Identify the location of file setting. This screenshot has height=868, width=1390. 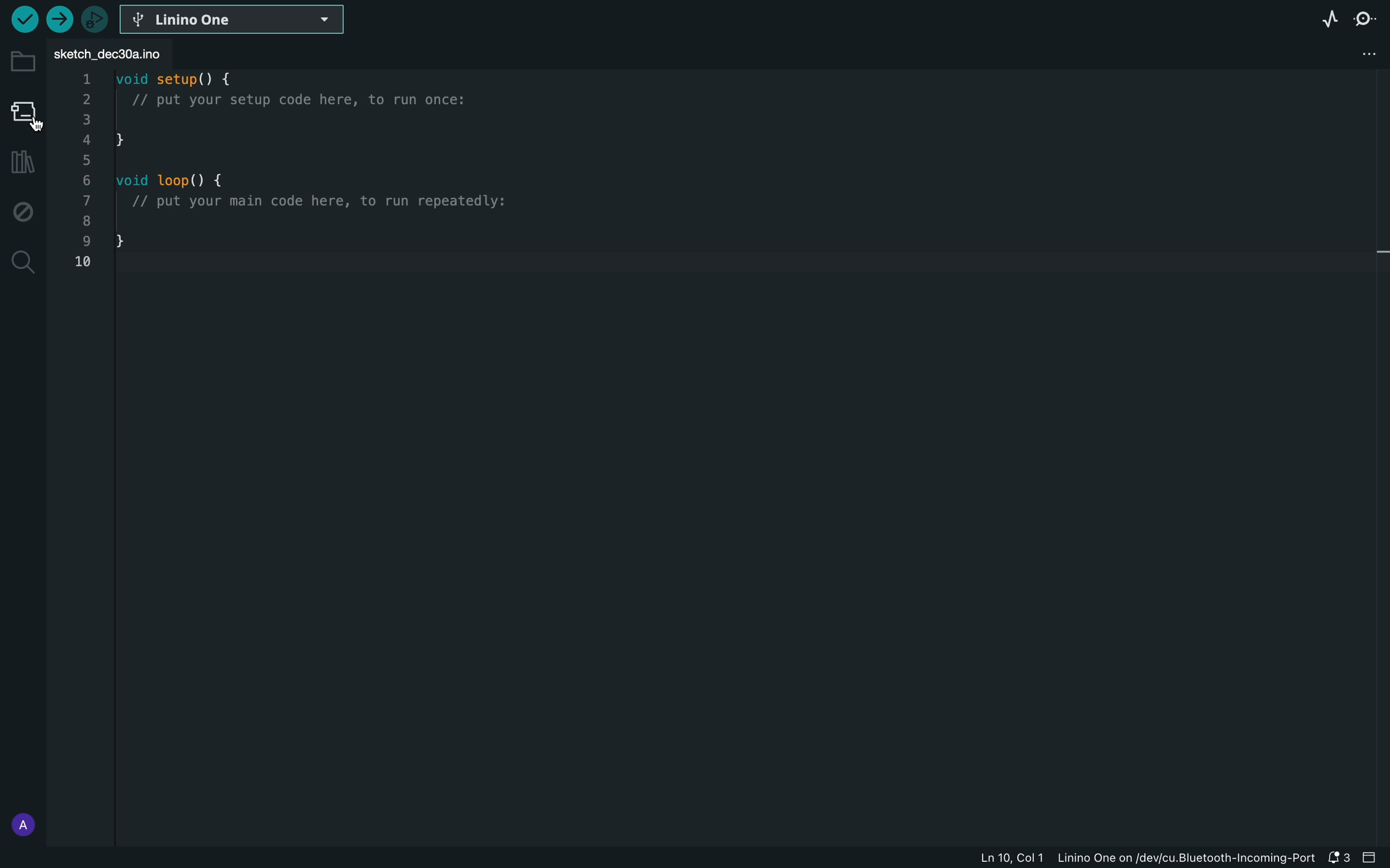
(1353, 55).